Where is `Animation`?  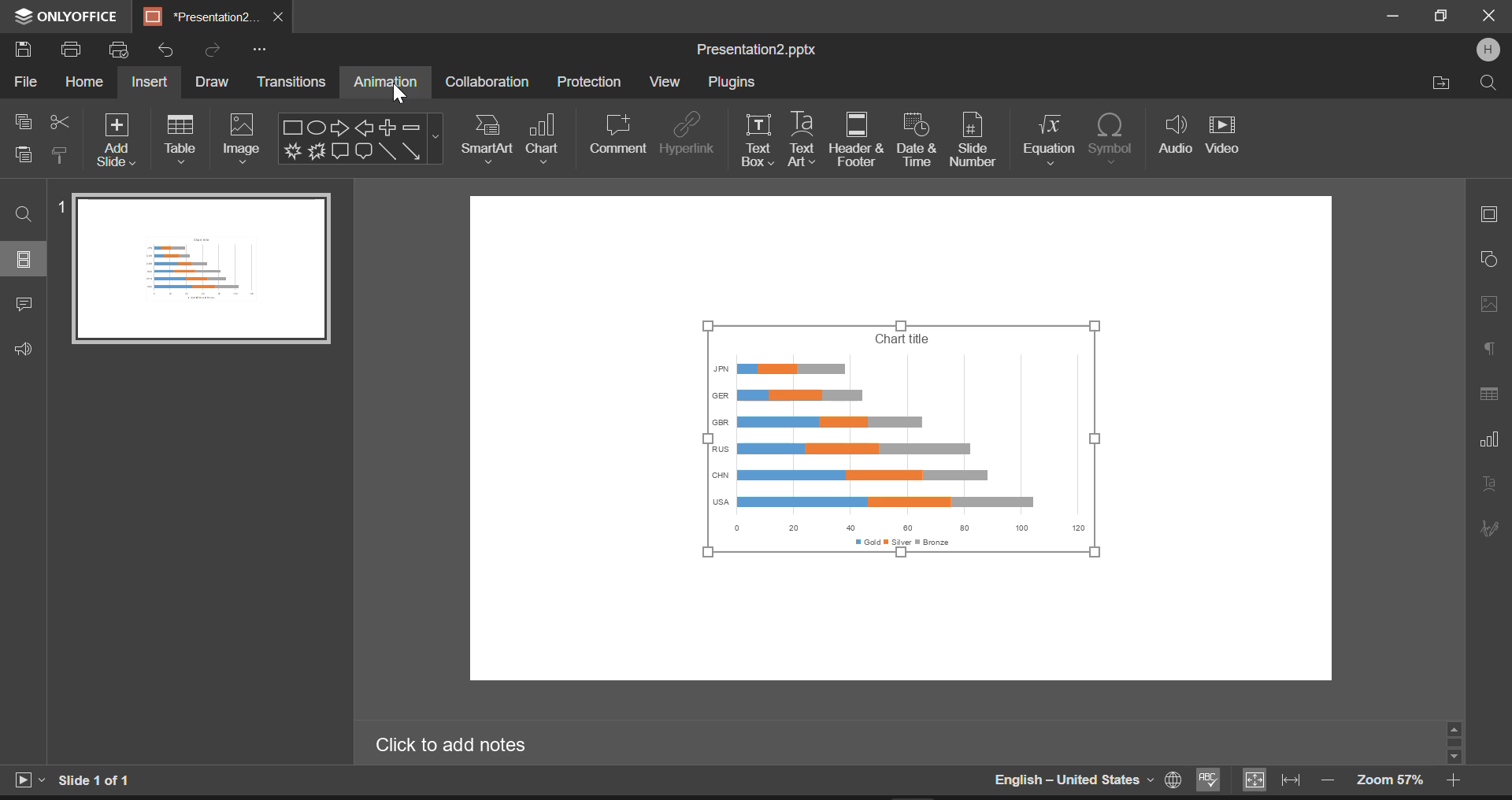
Animation is located at coordinates (384, 83).